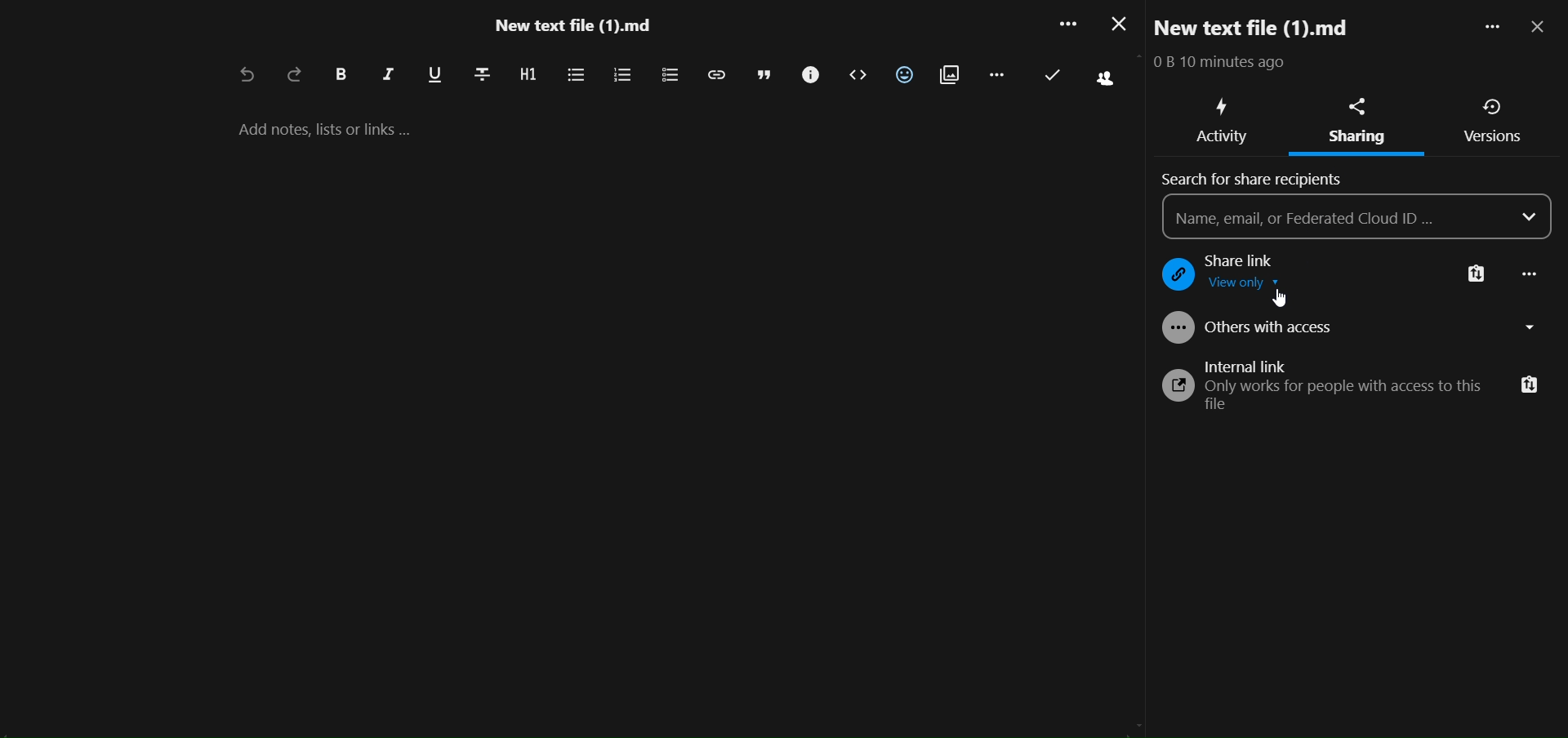 Image resolution: width=1568 pixels, height=738 pixels. I want to click on share link, so click(1255, 260).